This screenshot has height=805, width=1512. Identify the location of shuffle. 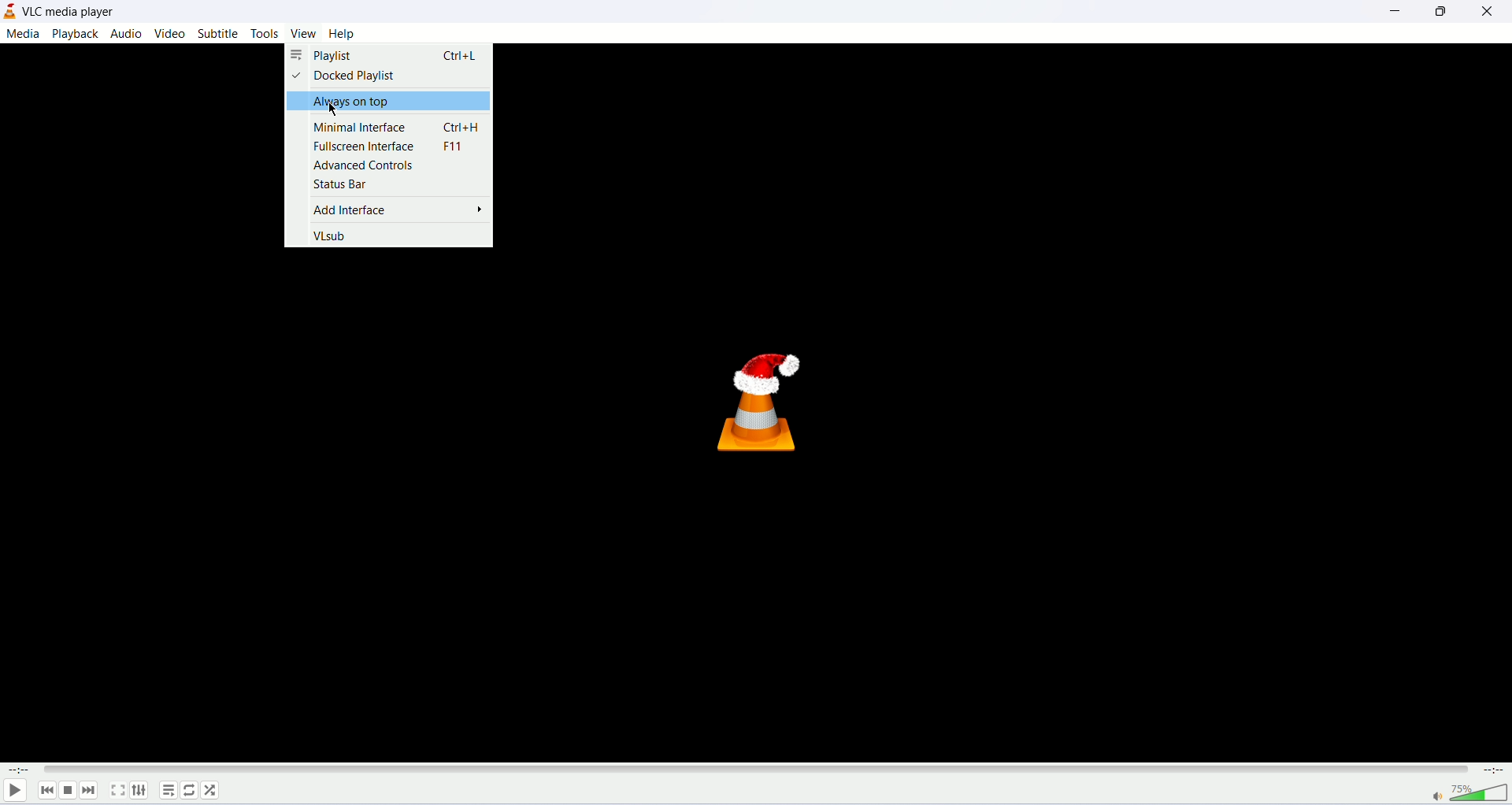
(212, 792).